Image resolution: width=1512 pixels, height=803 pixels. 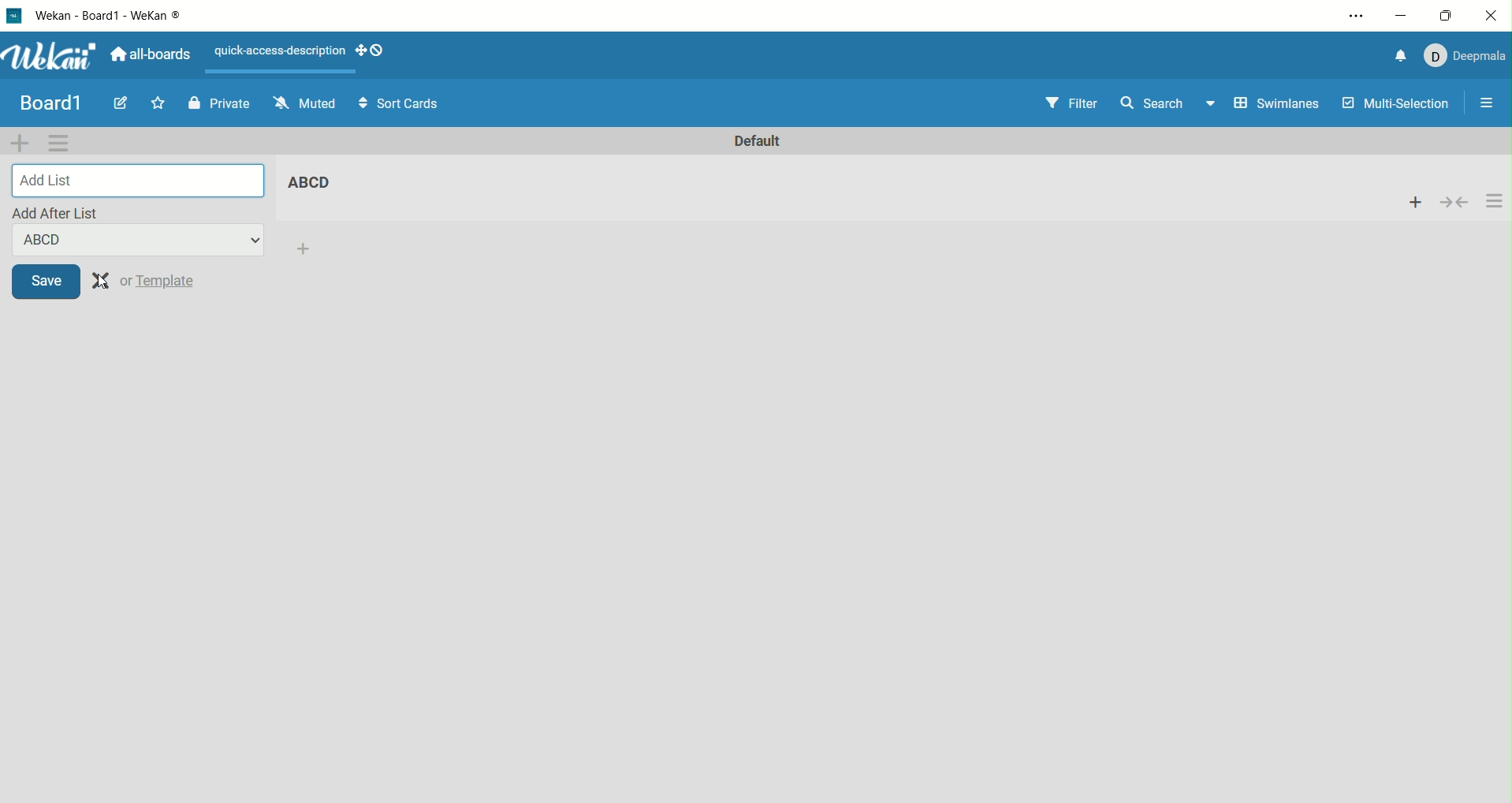 I want to click on private, so click(x=227, y=105).